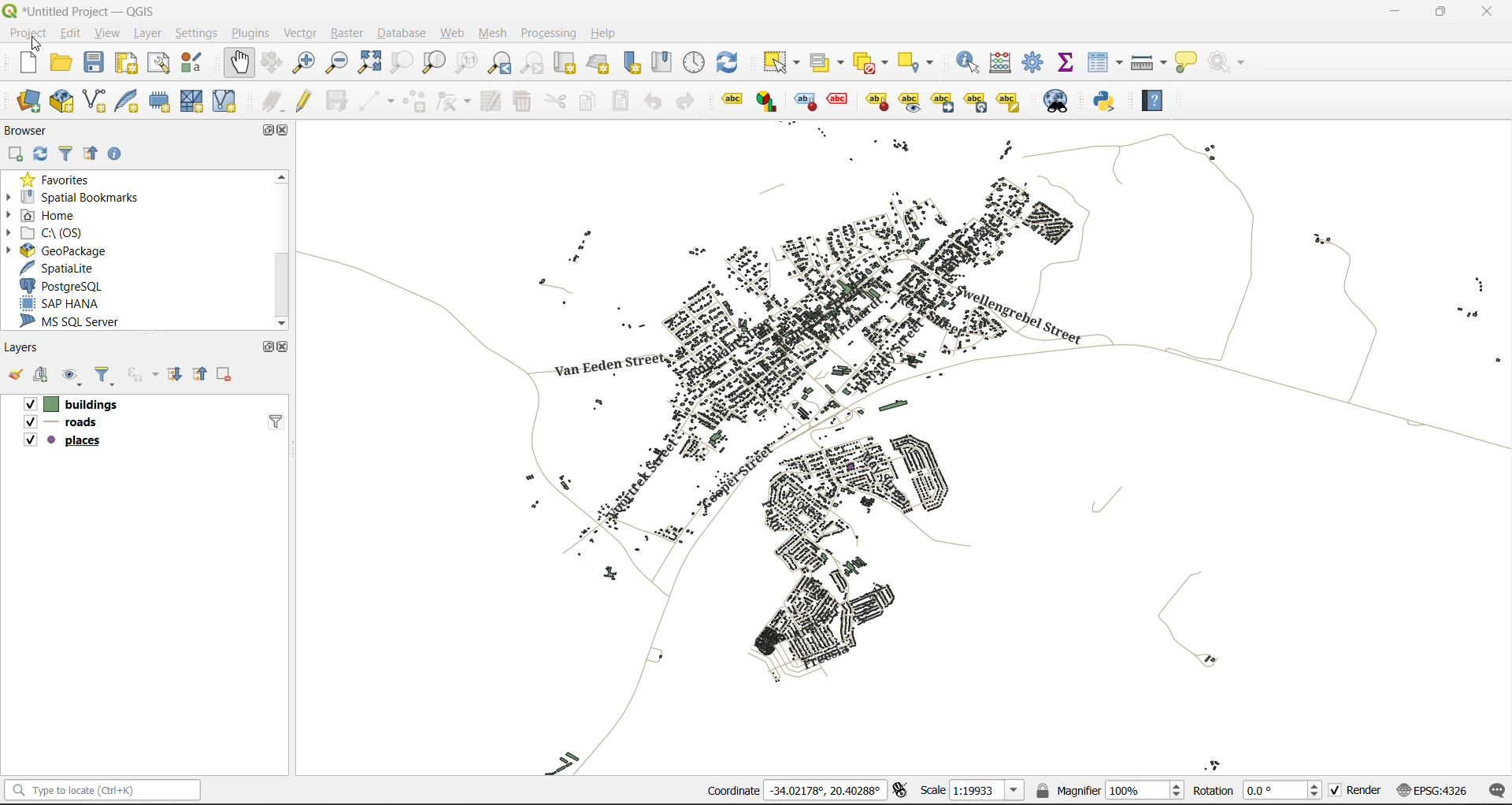 The height and width of the screenshot is (805, 1512). What do you see at coordinates (273, 101) in the screenshot?
I see `edits` at bounding box center [273, 101].